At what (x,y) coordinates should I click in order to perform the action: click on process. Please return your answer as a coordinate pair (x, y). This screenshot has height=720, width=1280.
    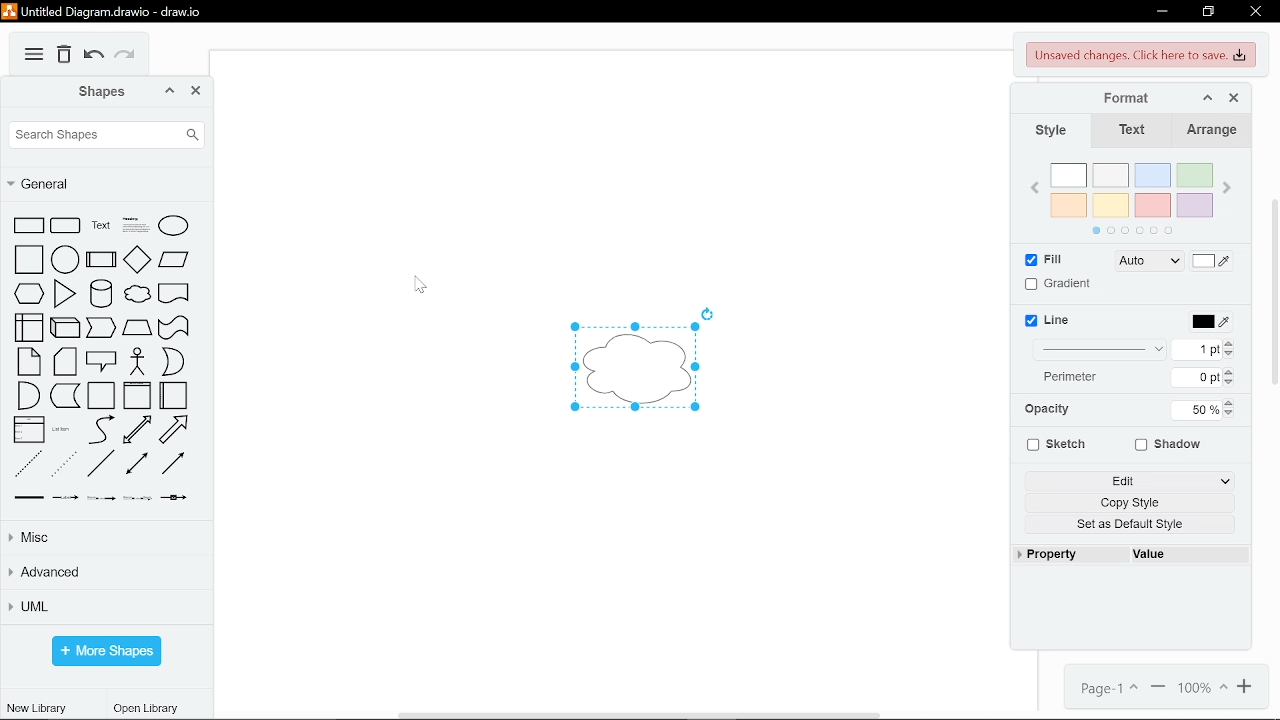
    Looking at the image, I should click on (101, 260).